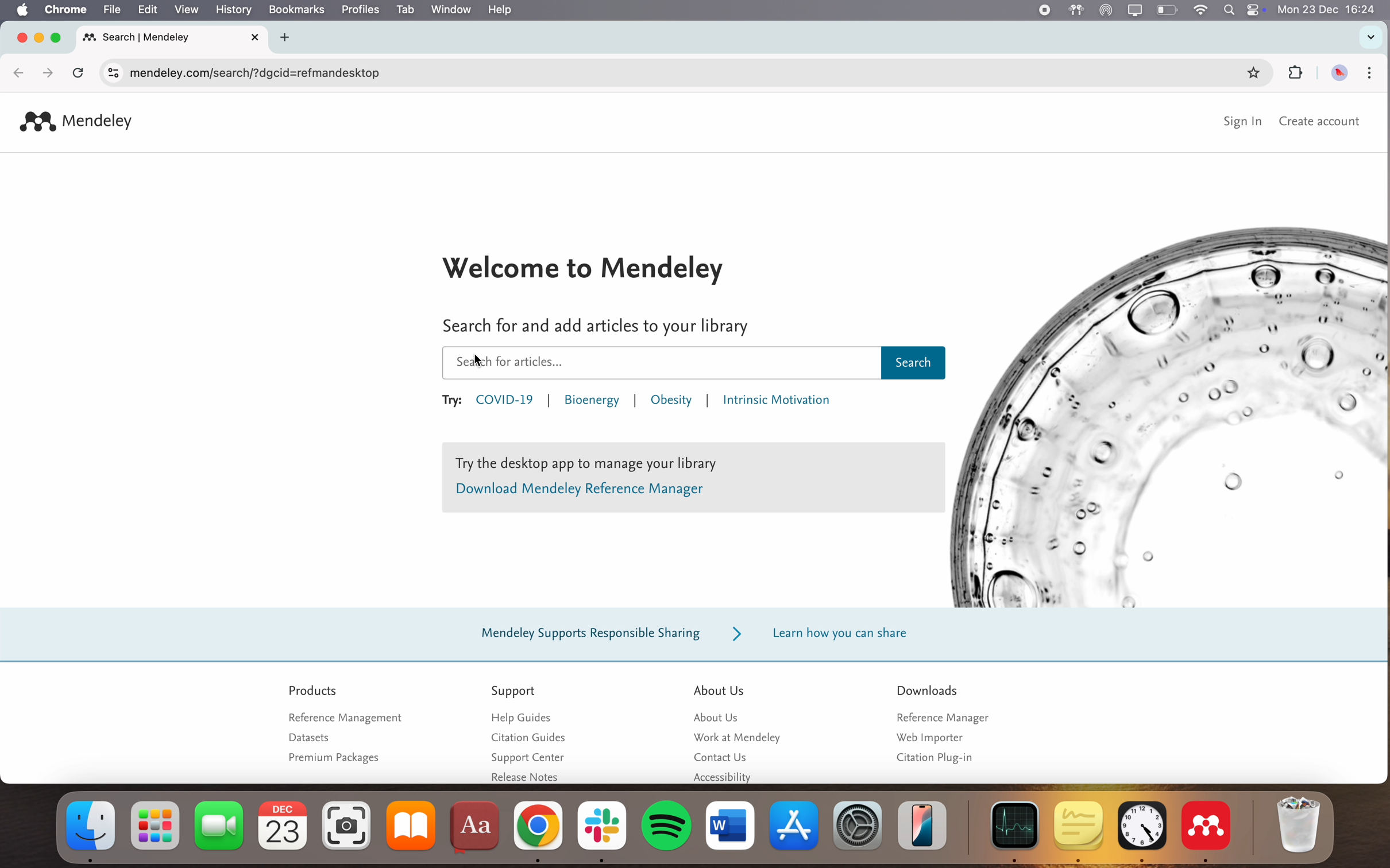 The image size is (1390, 868). What do you see at coordinates (283, 826) in the screenshot?
I see `calendar` at bounding box center [283, 826].